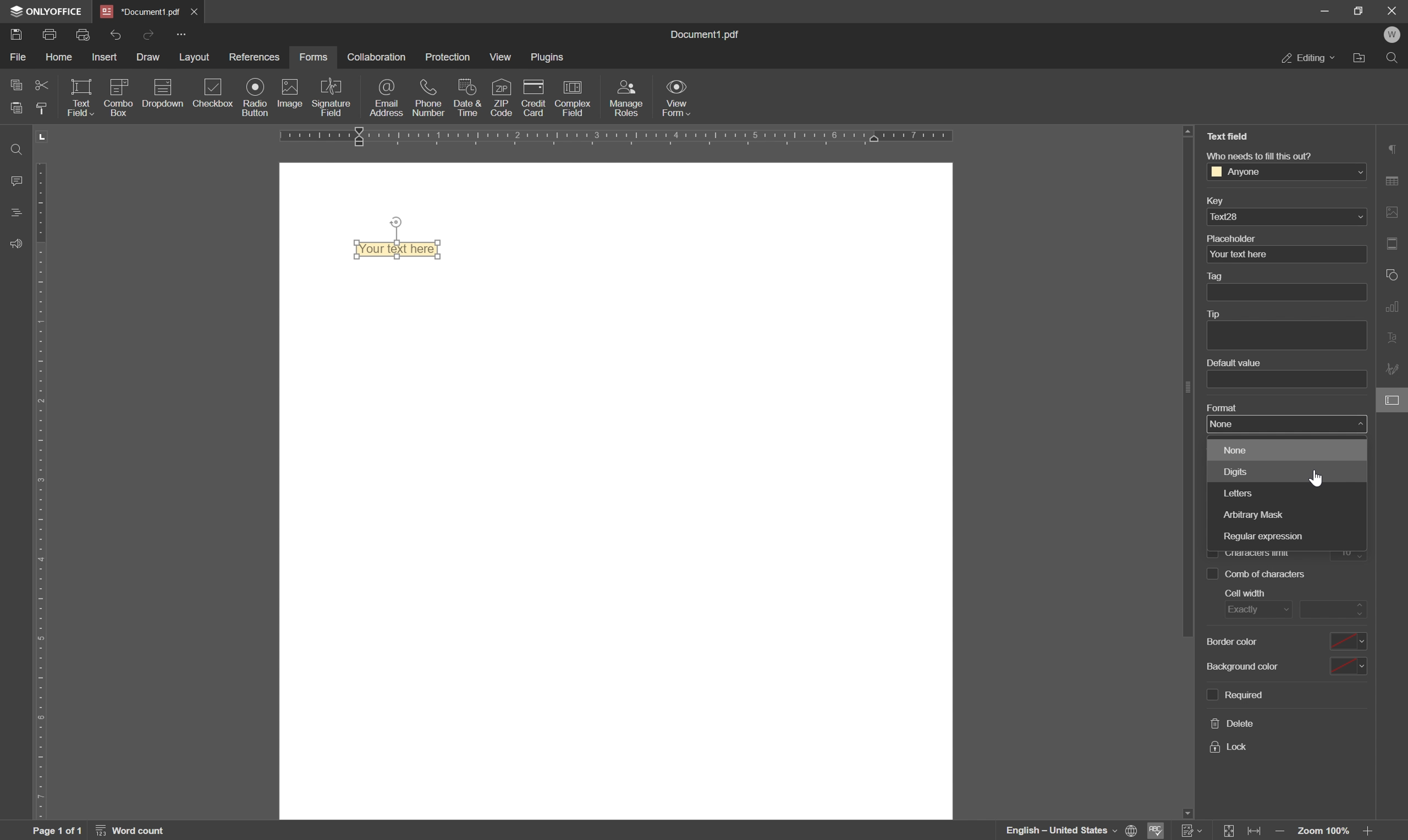 This screenshot has height=840, width=1408. I want to click on date and time, so click(470, 99).